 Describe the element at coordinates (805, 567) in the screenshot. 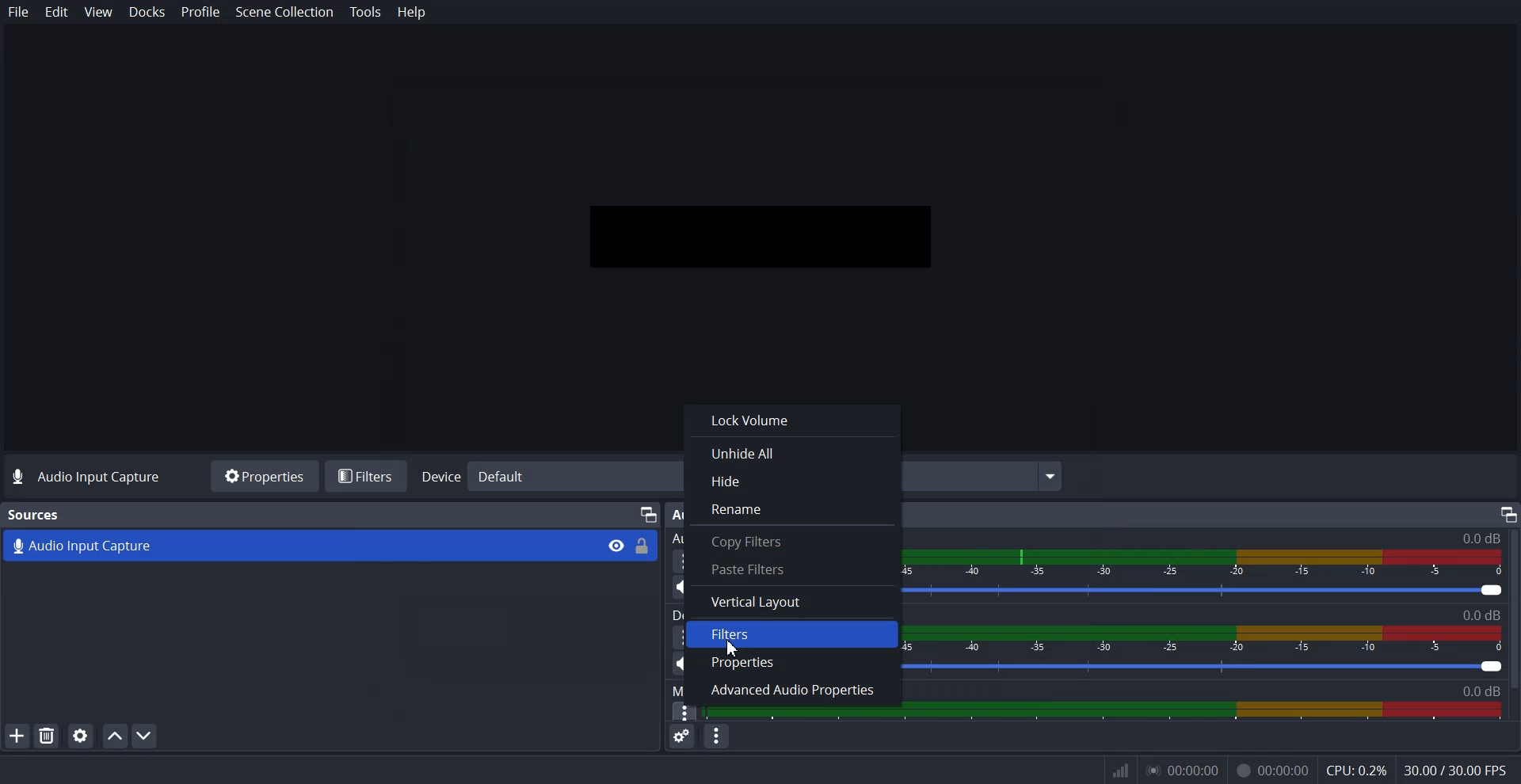

I see `Paste Filters` at that location.